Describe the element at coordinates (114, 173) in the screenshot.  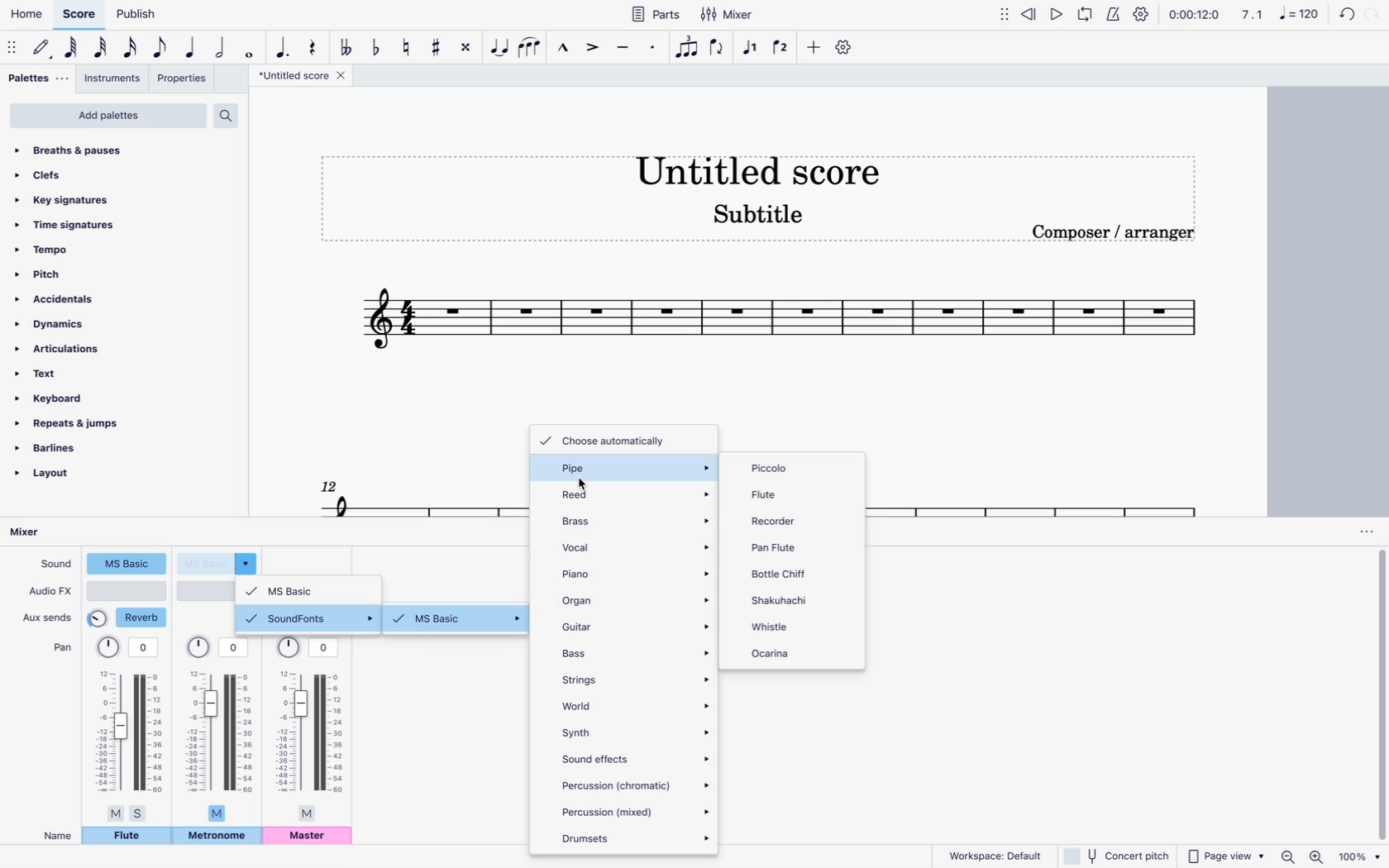
I see `clefs` at that location.